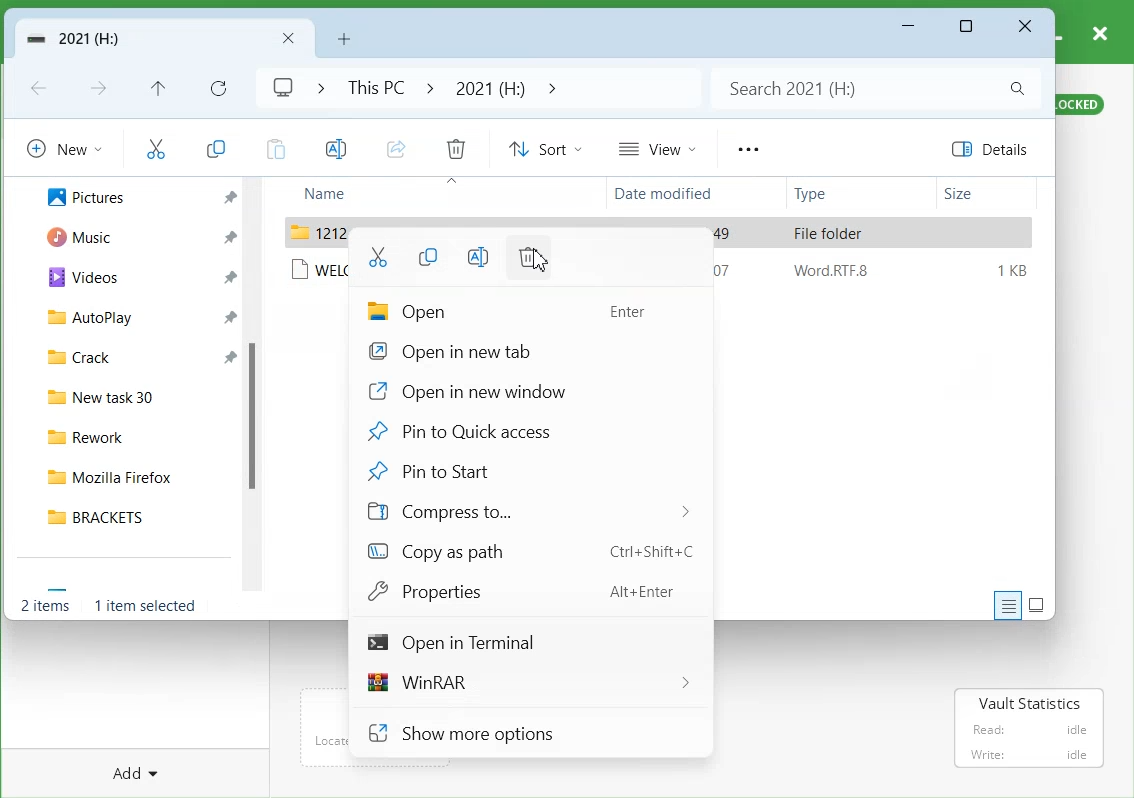 Image resolution: width=1134 pixels, height=798 pixels. Describe the element at coordinates (163, 39) in the screenshot. I see `Vault Folder` at that location.